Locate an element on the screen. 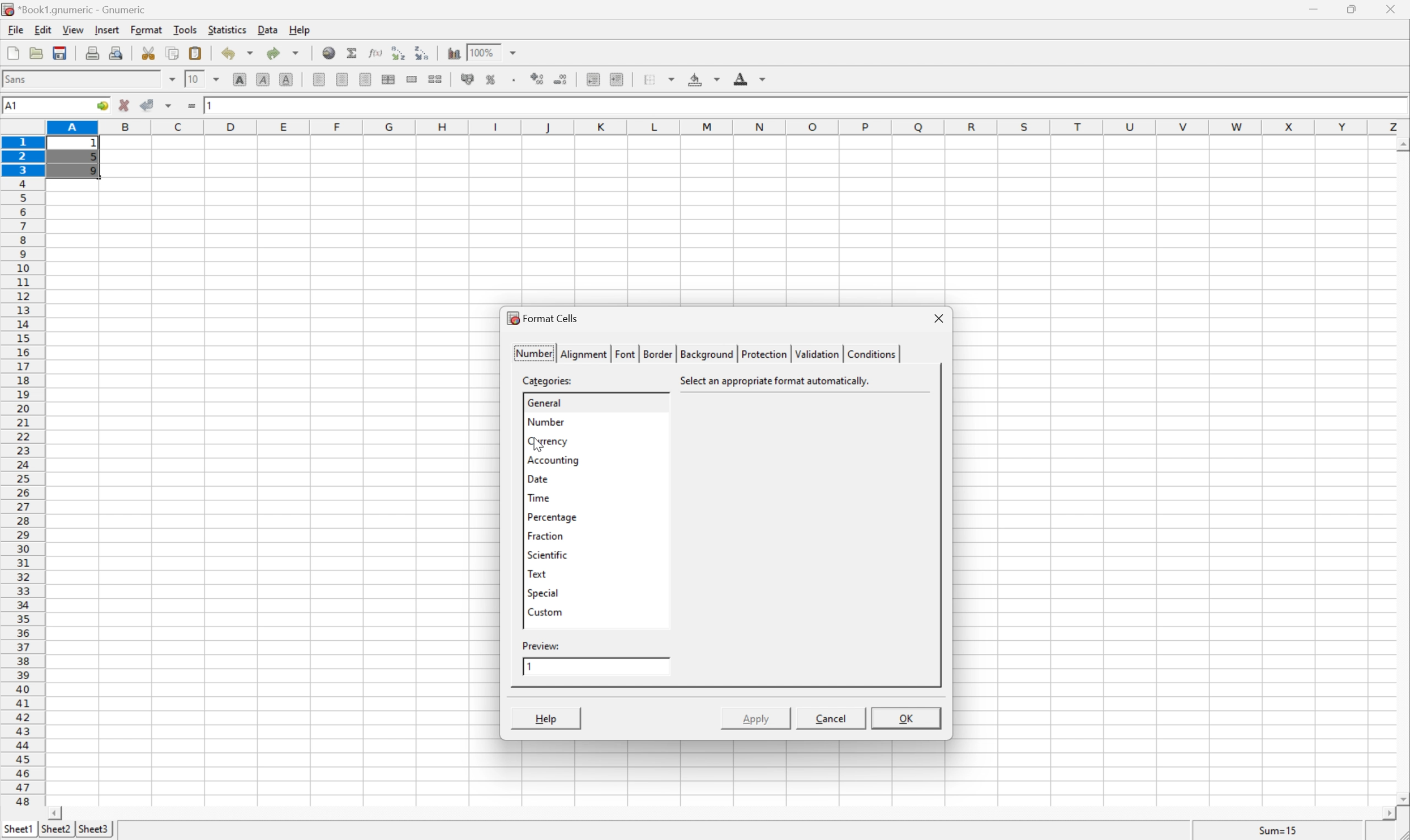 This screenshot has width=1410, height=840. general is located at coordinates (545, 401).